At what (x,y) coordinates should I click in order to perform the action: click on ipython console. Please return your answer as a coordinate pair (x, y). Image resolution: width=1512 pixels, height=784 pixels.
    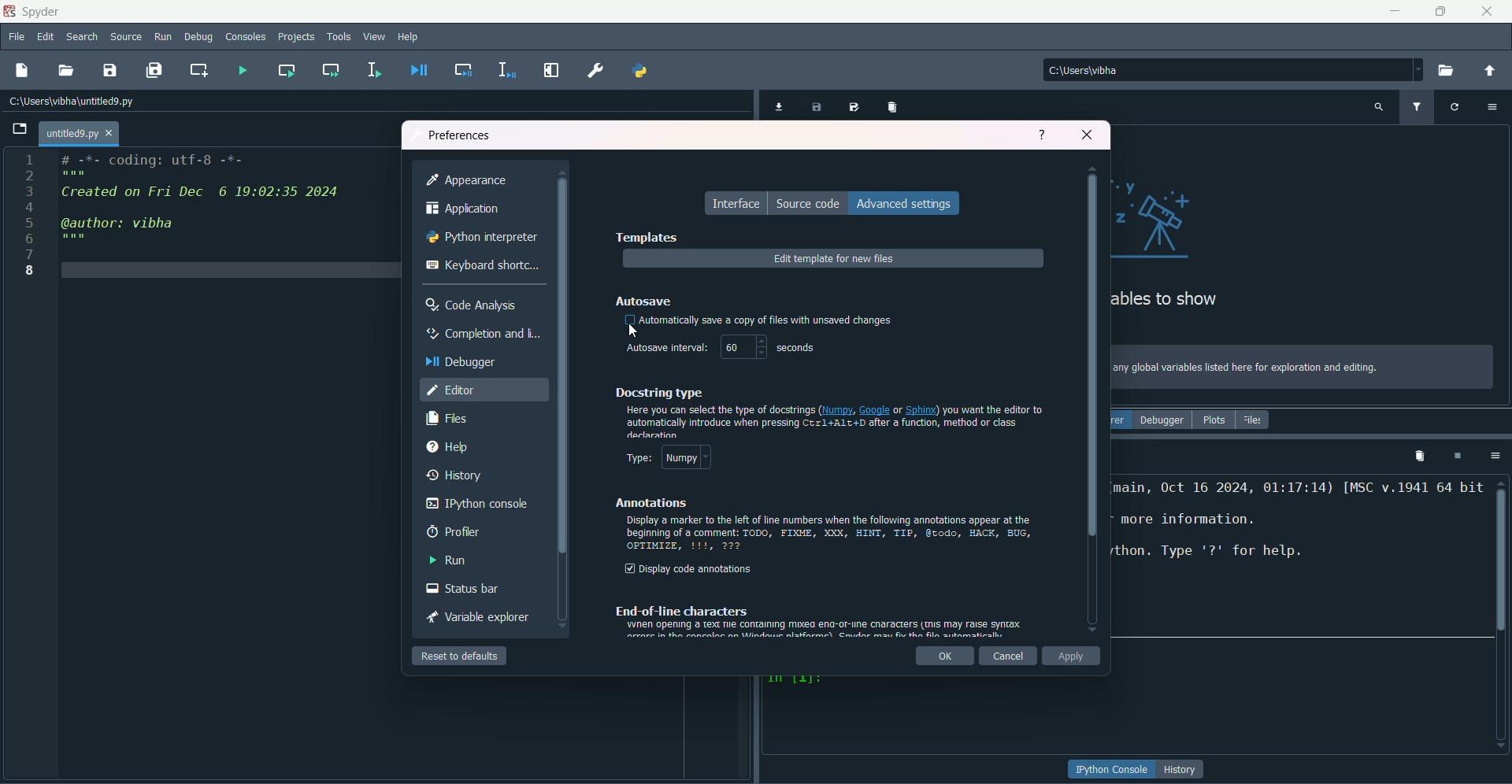
    Looking at the image, I should click on (478, 504).